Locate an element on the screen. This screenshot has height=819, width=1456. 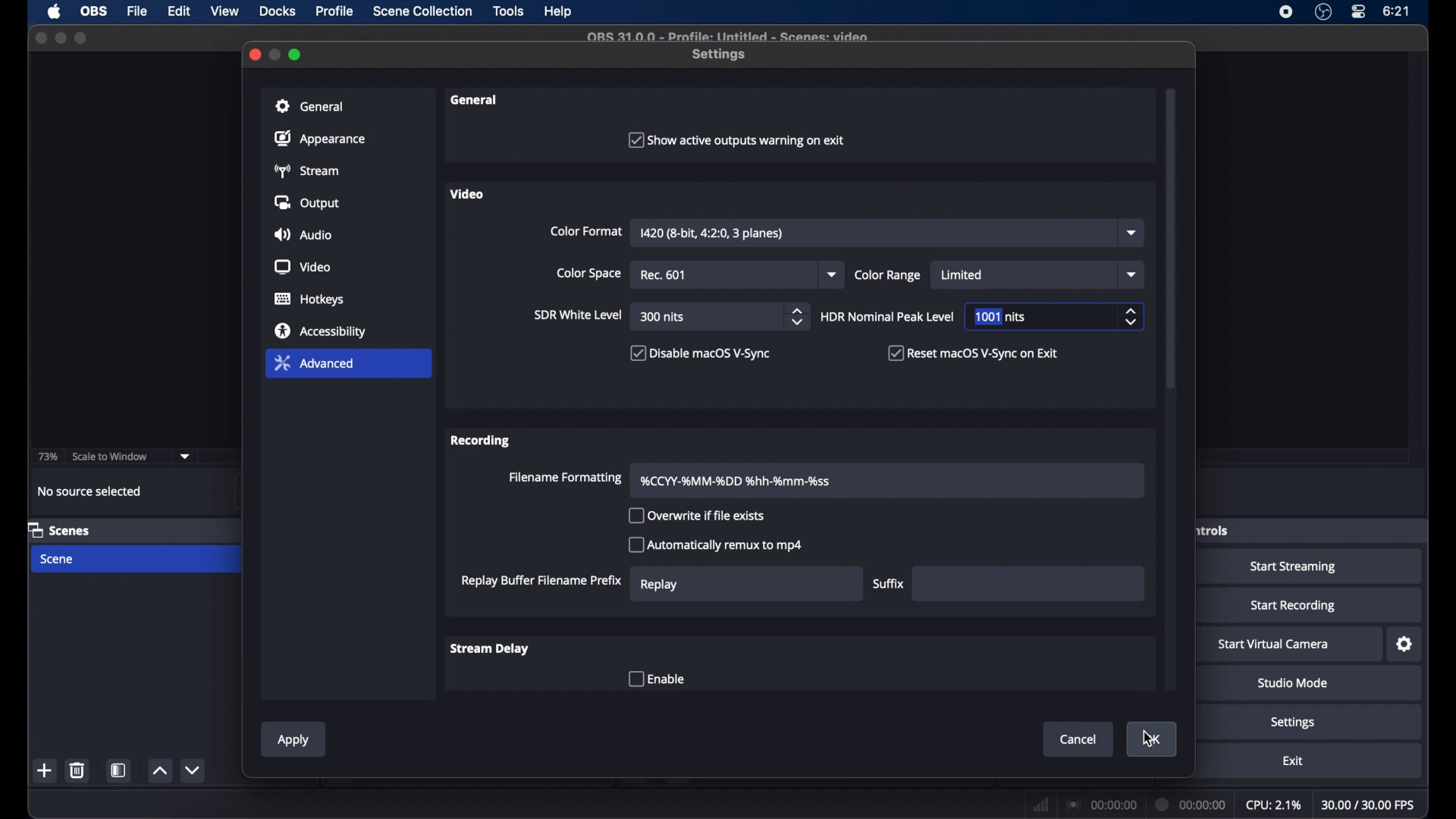
general is located at coordinates (475, 99).